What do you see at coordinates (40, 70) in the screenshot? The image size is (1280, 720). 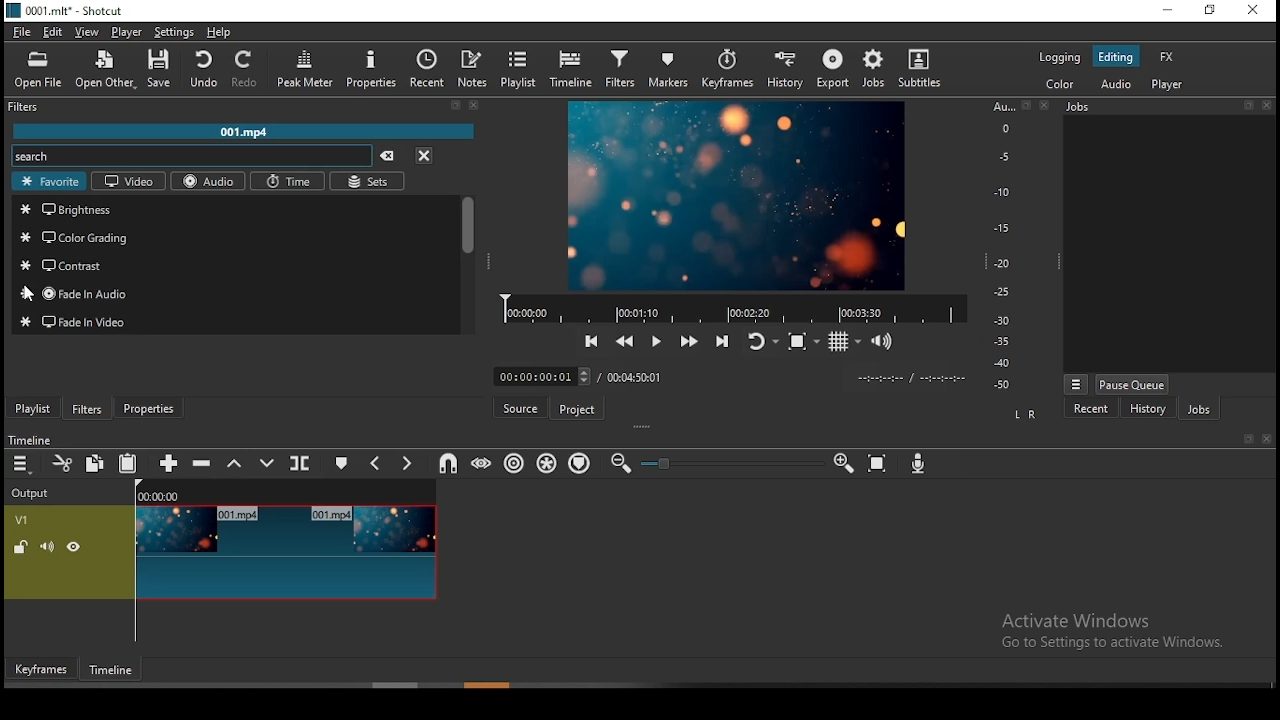 I see `open file` at bounding box center [40, 70].